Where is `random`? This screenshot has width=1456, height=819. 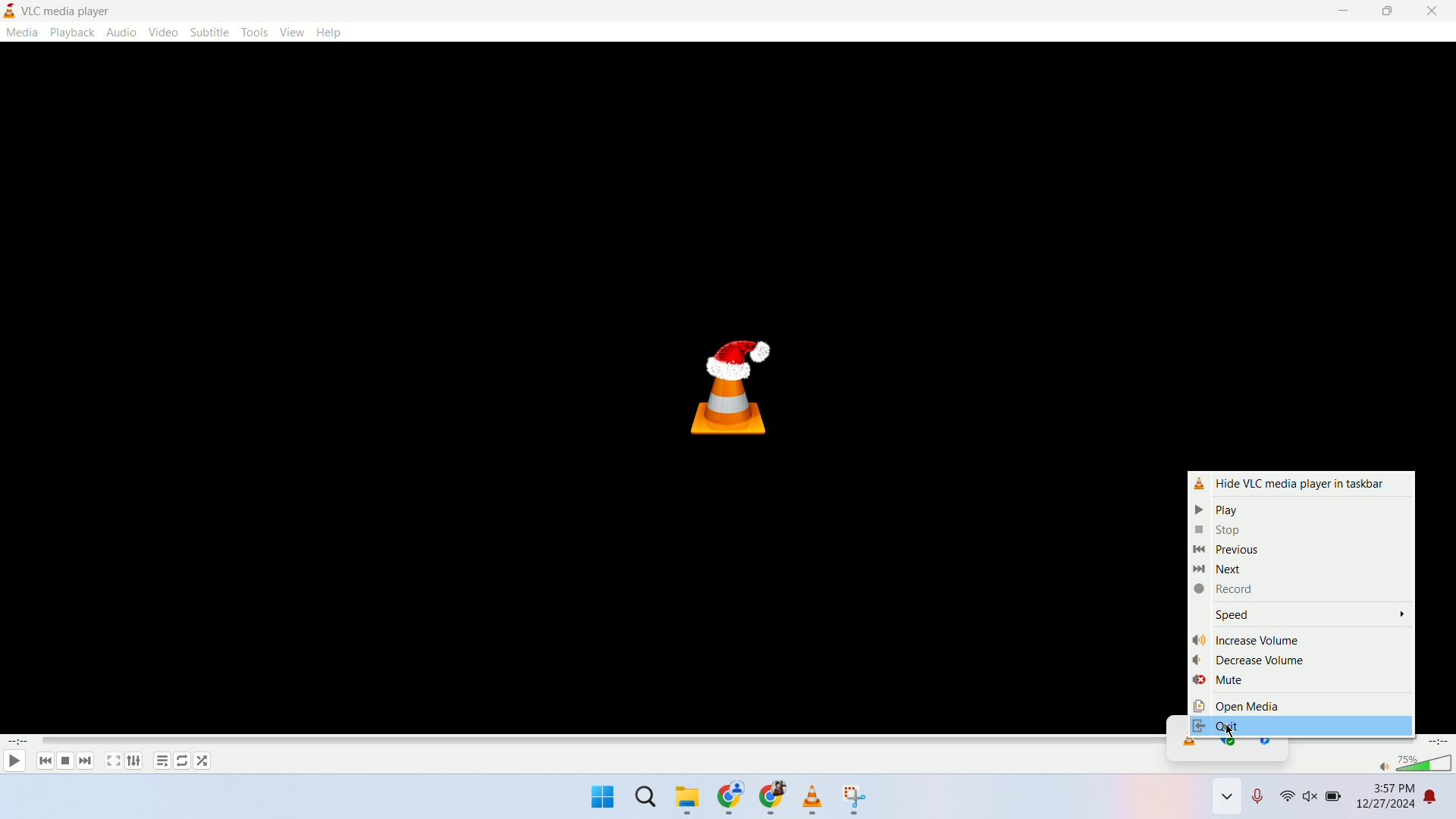
random is located at coordinates (204, 761).